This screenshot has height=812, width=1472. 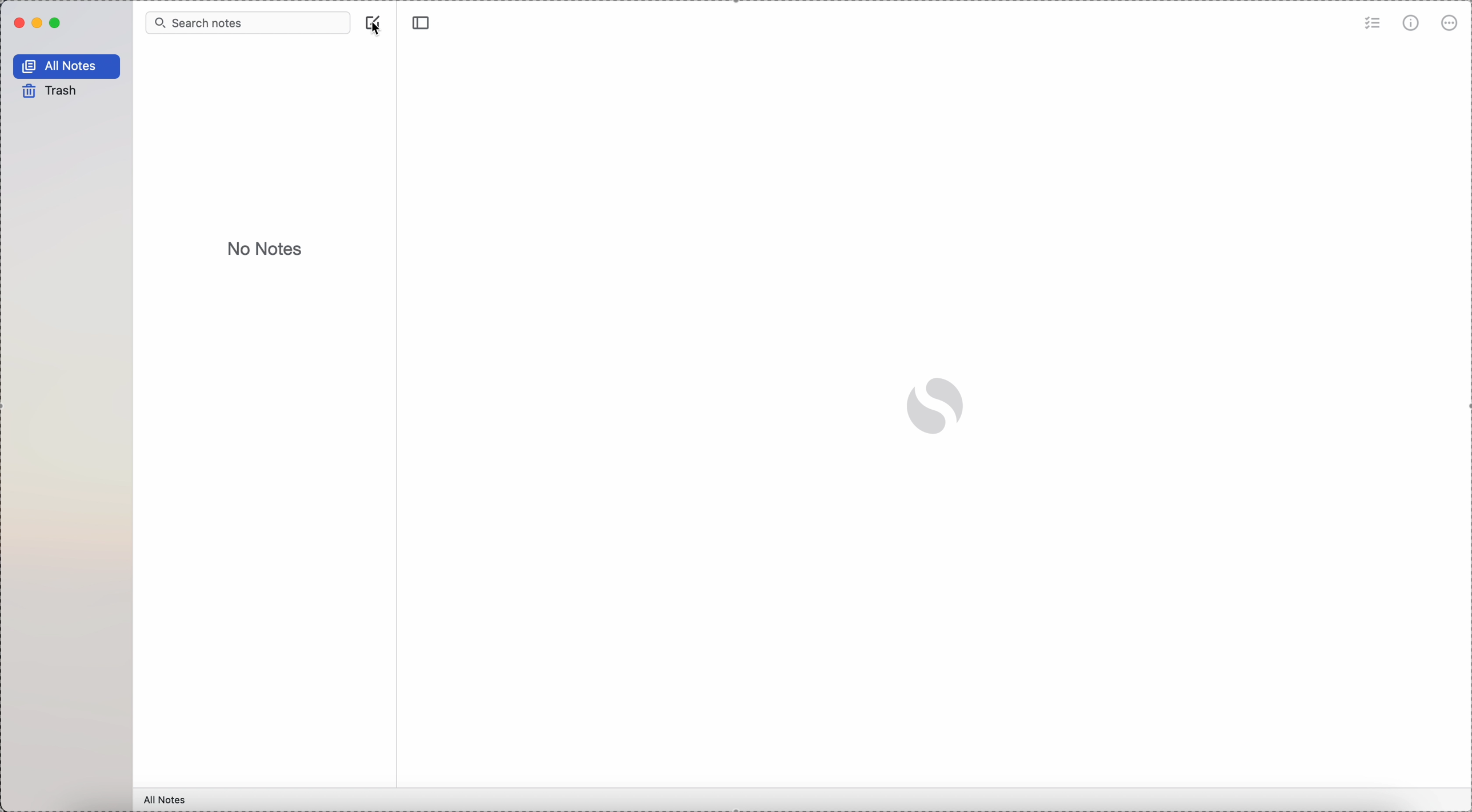 What do you see at coordinates (167, 799) in the screenshot?
I see `all notes` at bounding box center [167, 799].